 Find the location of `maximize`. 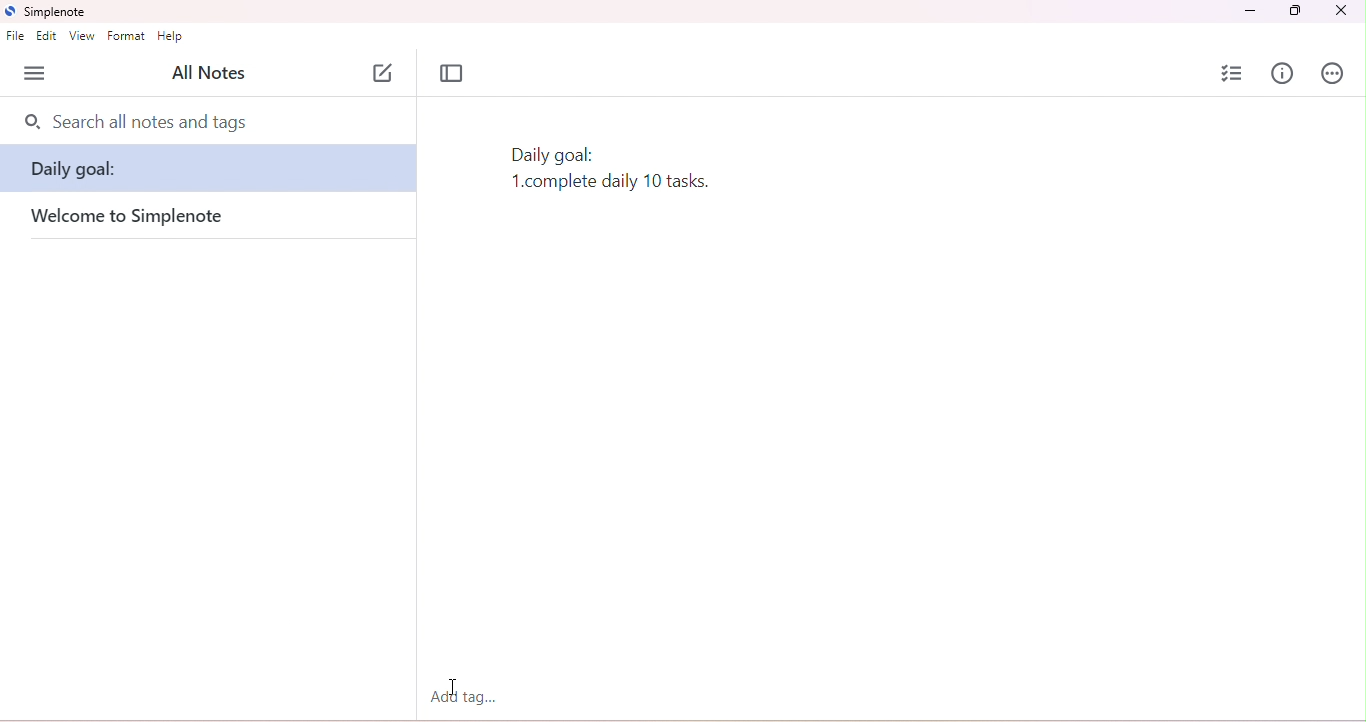

maximize is located at coordinates (1296, 11).